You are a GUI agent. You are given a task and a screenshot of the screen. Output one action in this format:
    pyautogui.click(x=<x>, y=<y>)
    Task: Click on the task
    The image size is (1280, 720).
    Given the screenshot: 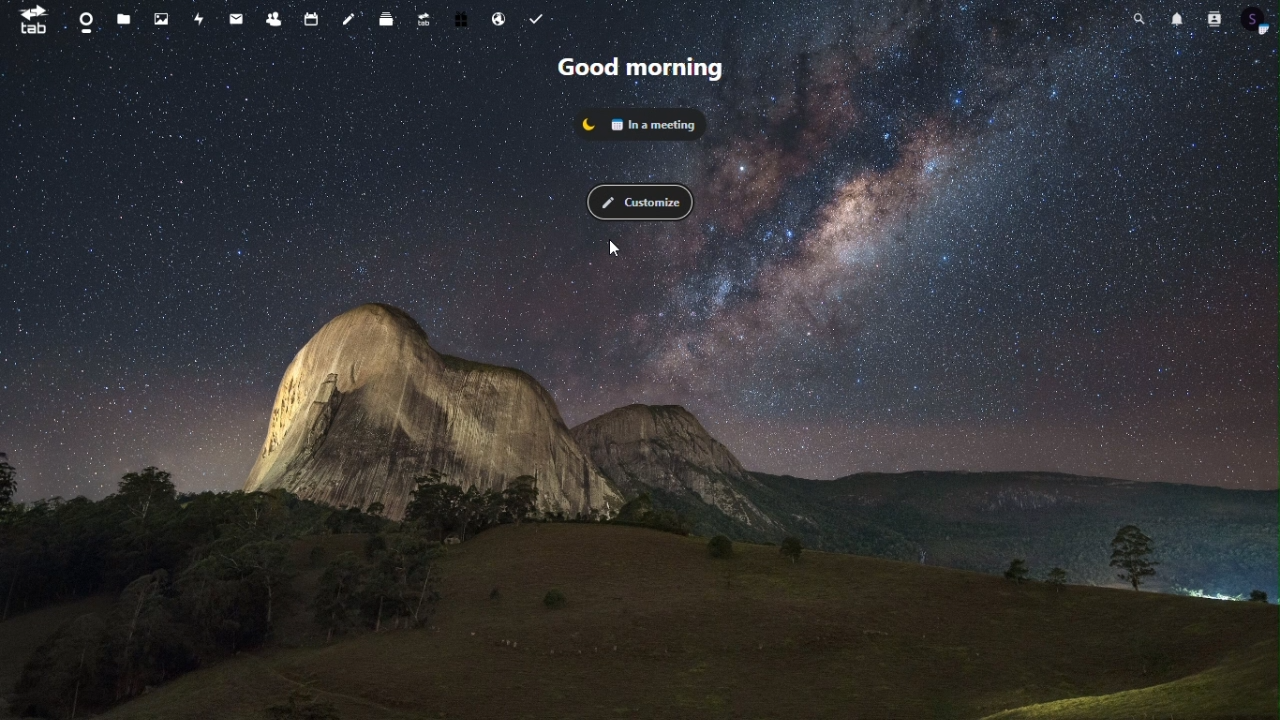 What is the action you would take?
    pyautogui.click(x=540, y=20)
    